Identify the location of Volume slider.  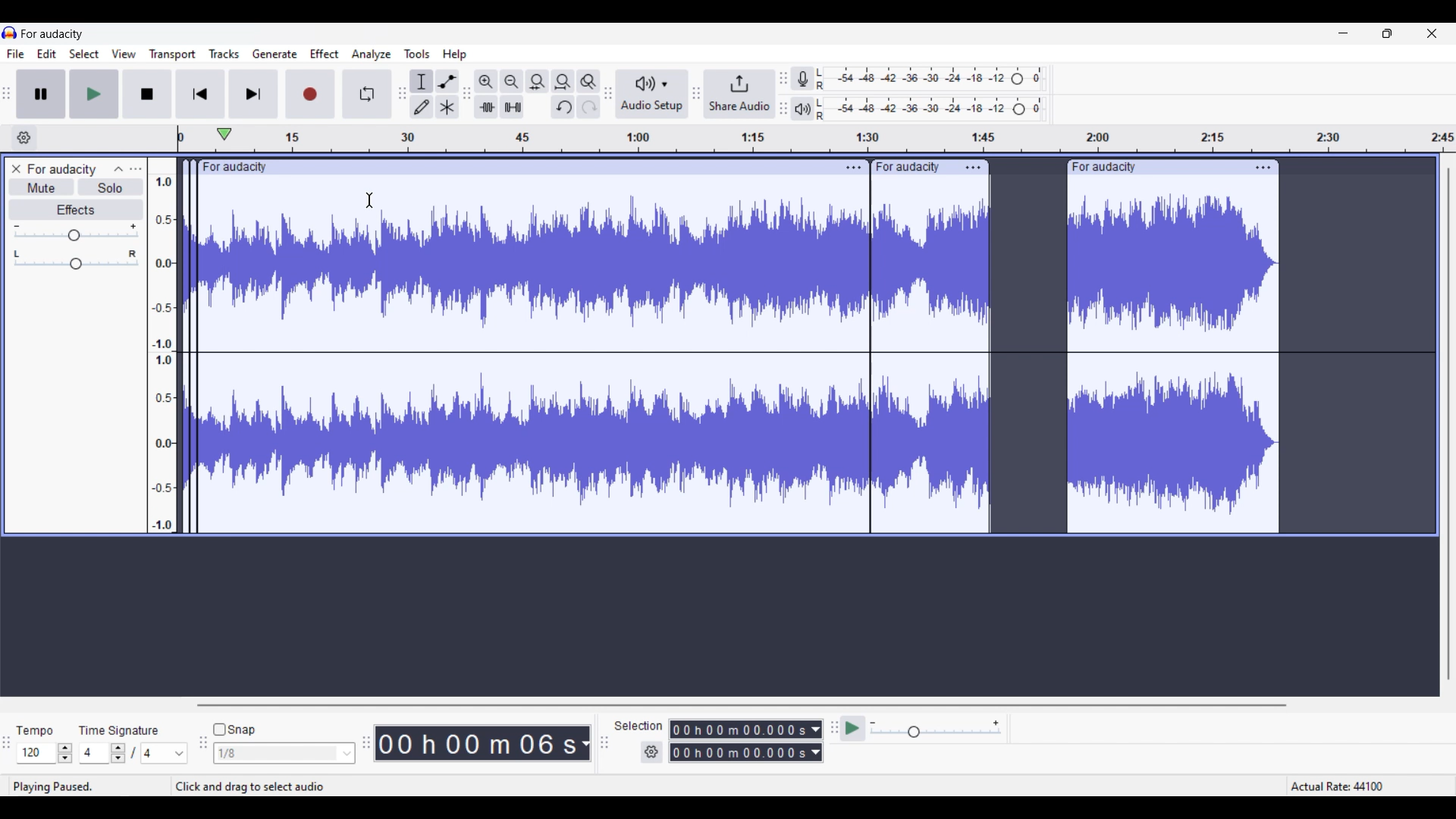
(77, 232).